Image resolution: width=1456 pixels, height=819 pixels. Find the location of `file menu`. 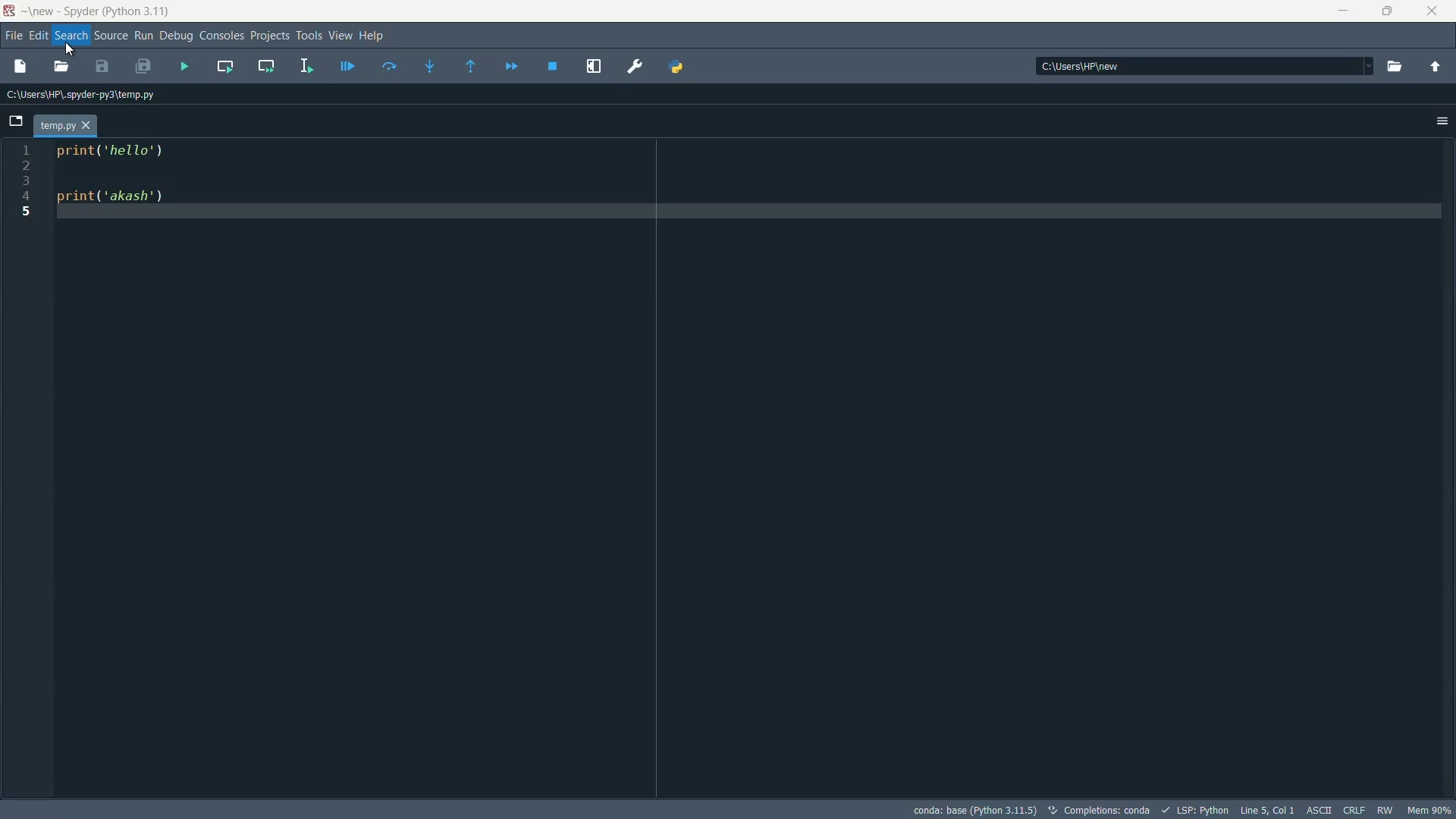

file menu is located at coordinates (12, 36).